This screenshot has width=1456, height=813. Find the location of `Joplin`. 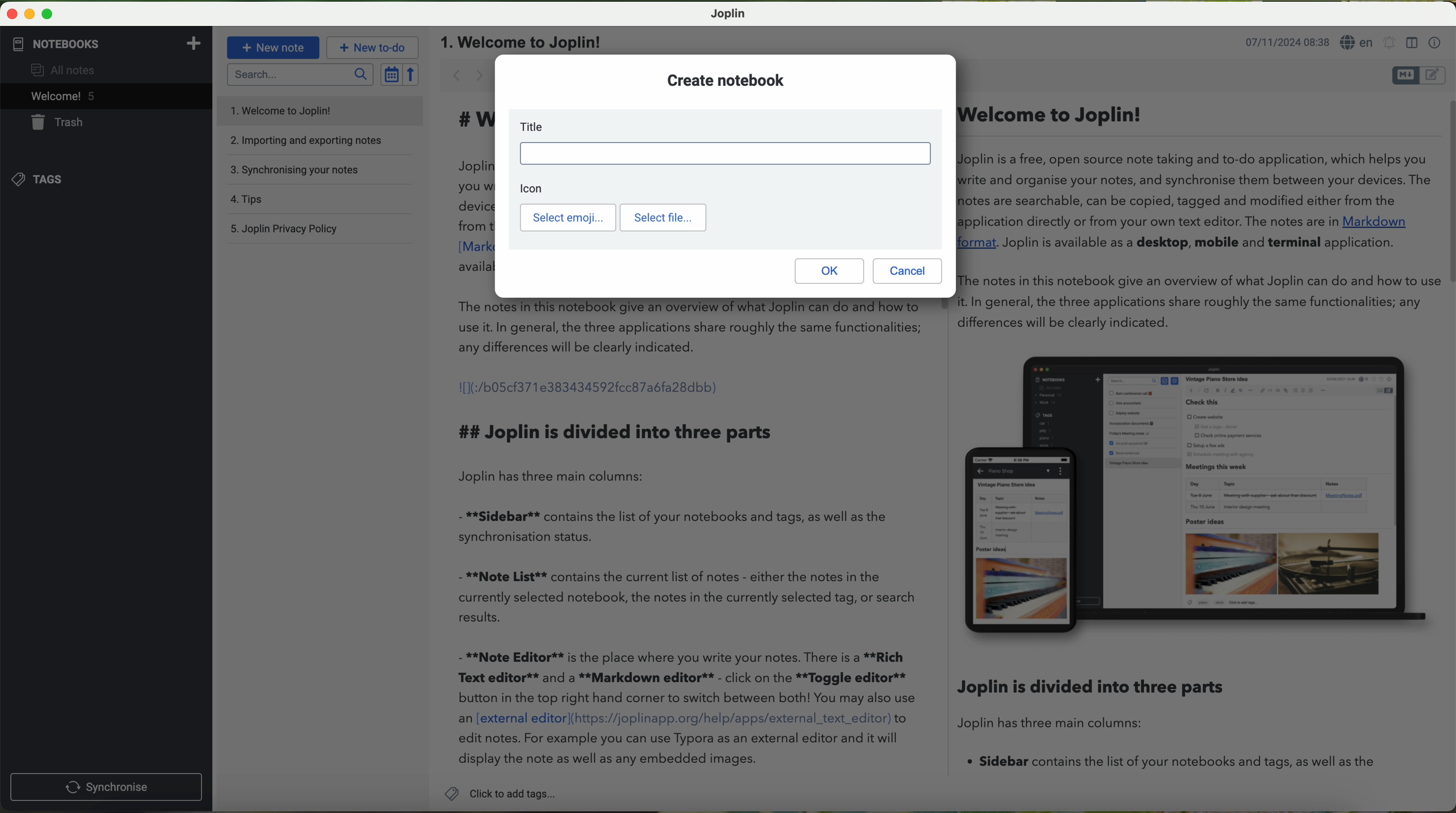

Joplin is located at coordinates (729, 13).